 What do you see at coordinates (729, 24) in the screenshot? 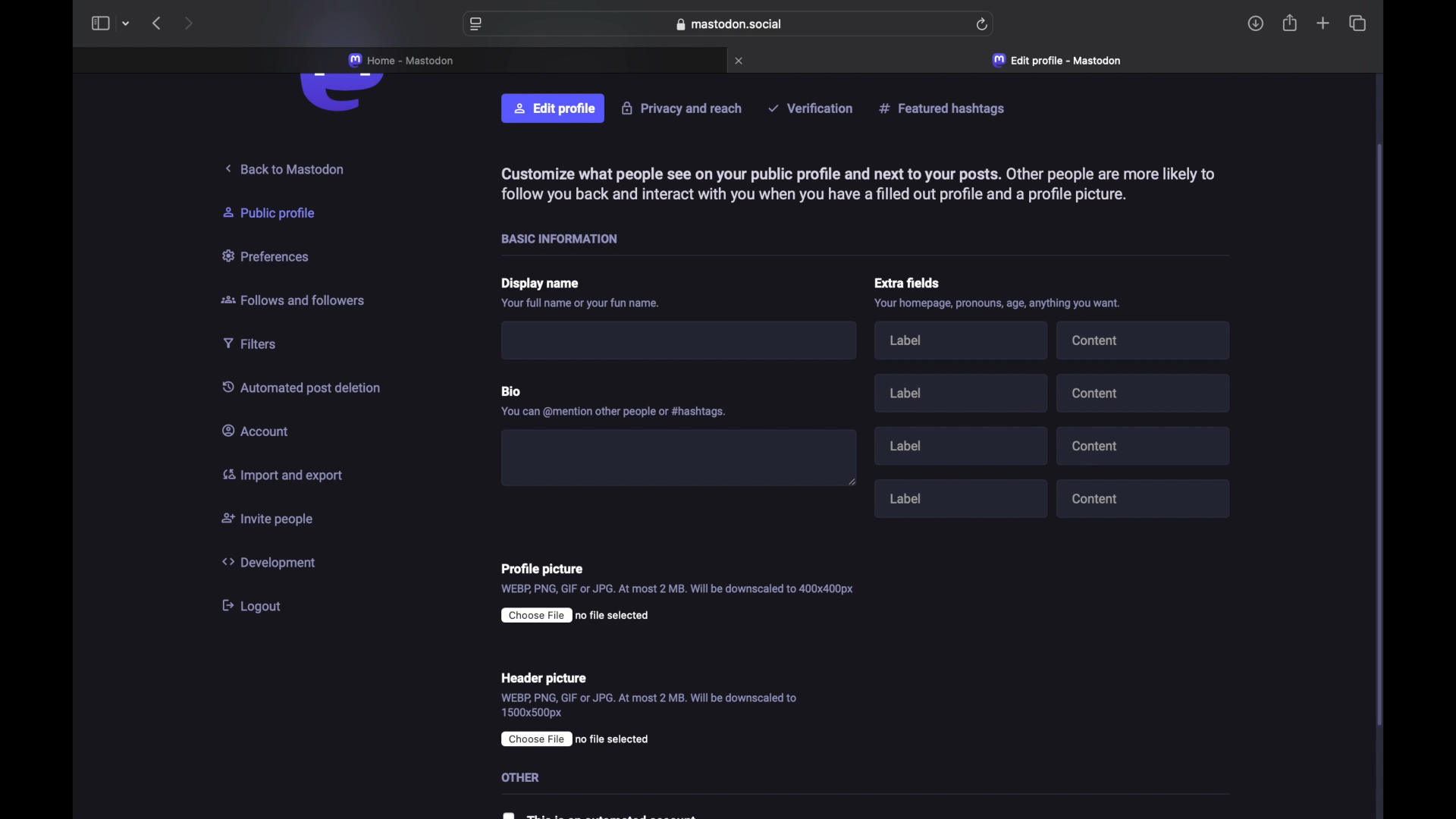
I see `web address` at bounding box center [729, 24].